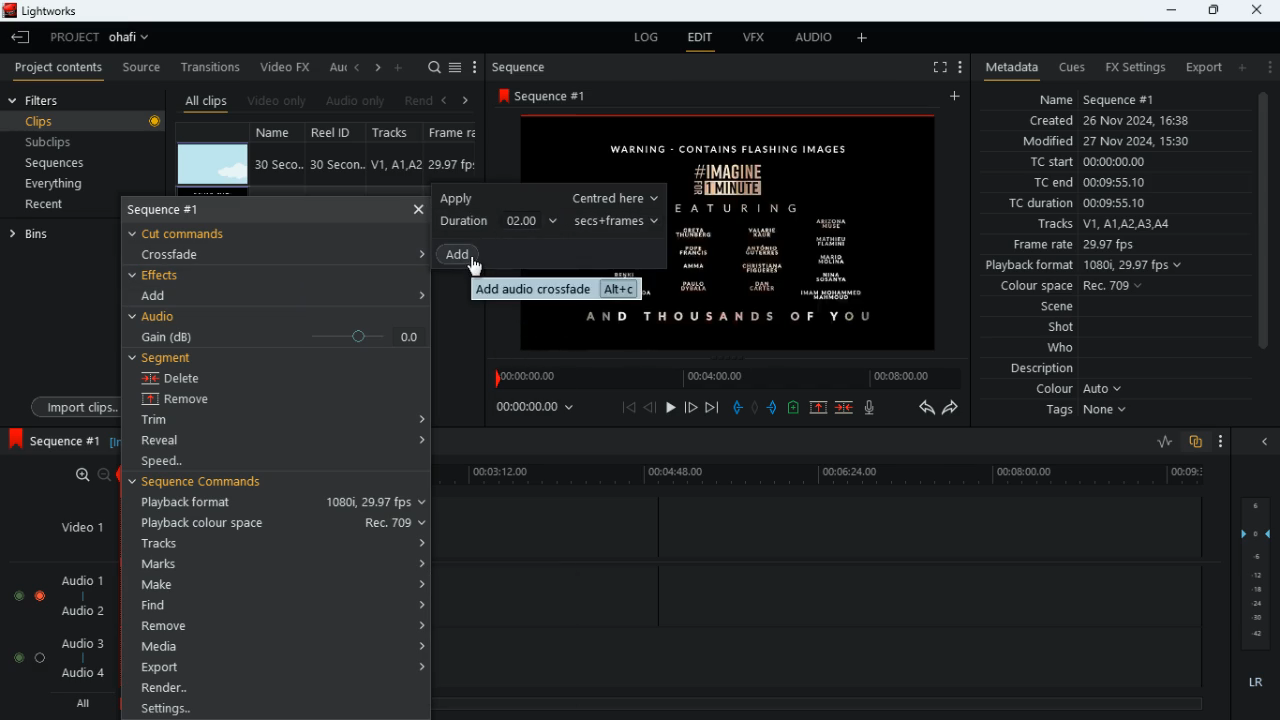 The width and height of the screenshot is (1280, 720). Describe the element at coordinates (278, 336) in the screenshot. I see `gain` at that location.